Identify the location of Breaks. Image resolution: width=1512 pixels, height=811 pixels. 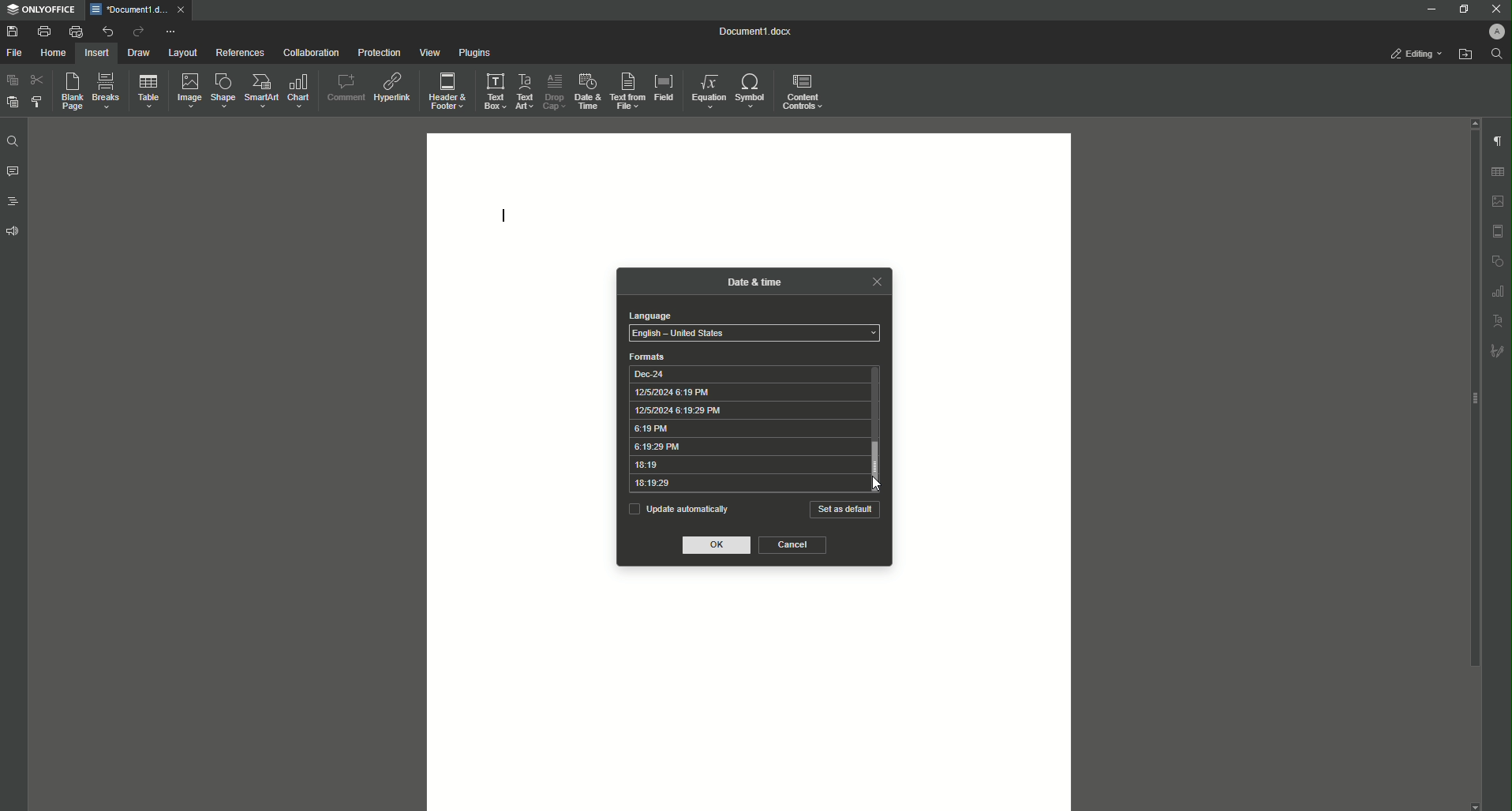
(106, 92).